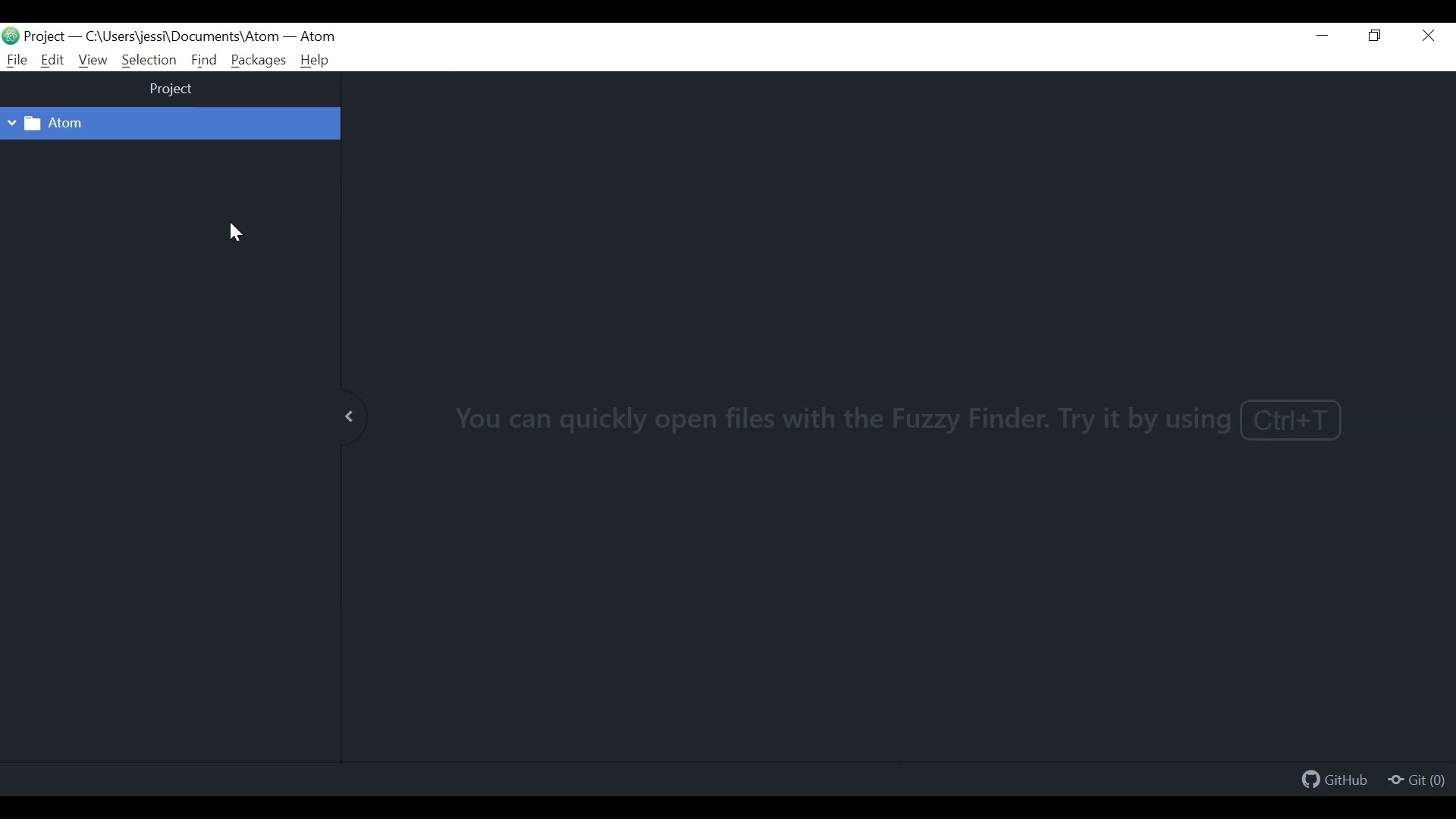 The width and height of the screenshot is (1456, 819). Describe the element at coordinates (205, 60) in the screenshot. I see `Find` at that location.